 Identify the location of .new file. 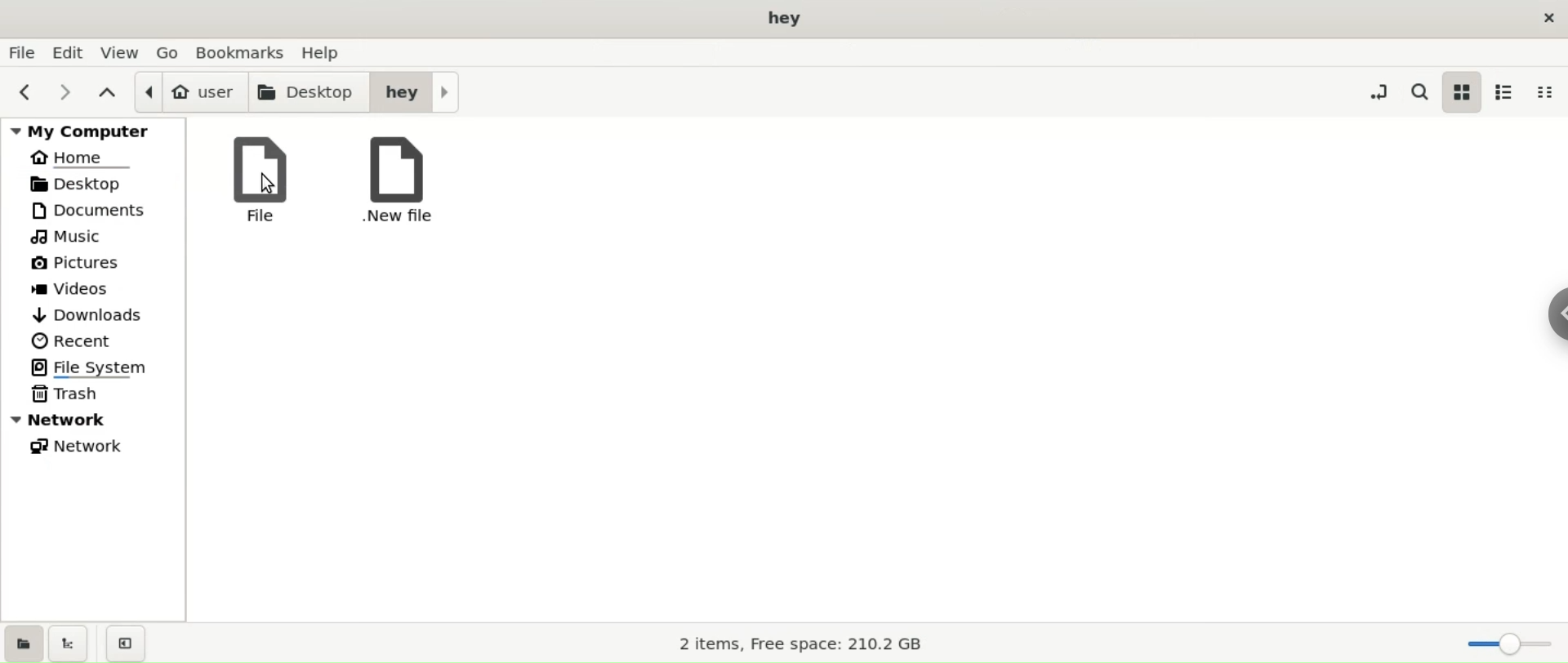
(388, 180).